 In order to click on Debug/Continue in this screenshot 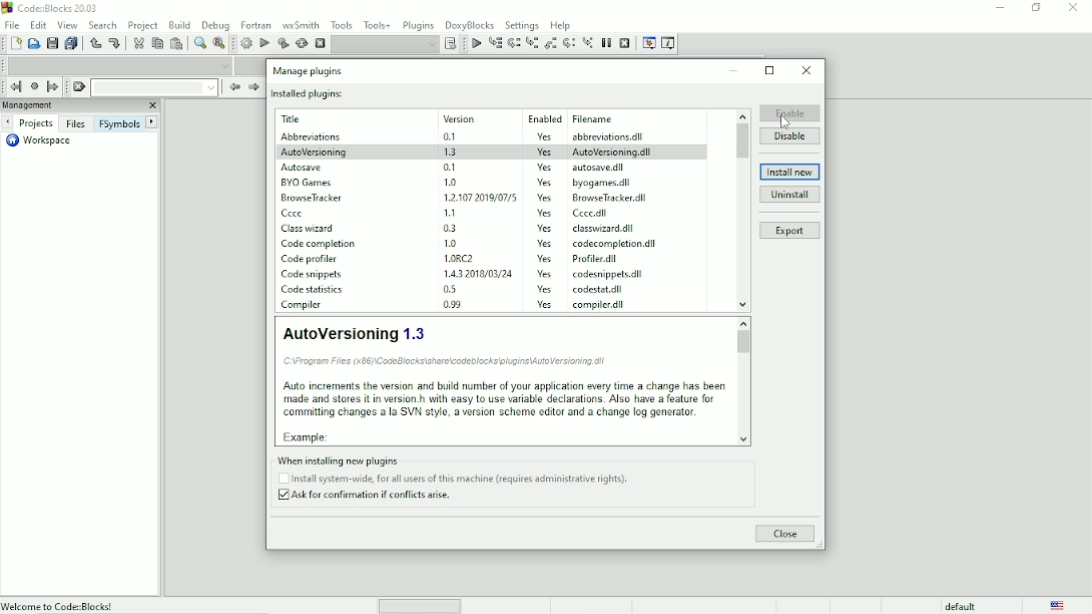, I will do `click(475, 44)`.